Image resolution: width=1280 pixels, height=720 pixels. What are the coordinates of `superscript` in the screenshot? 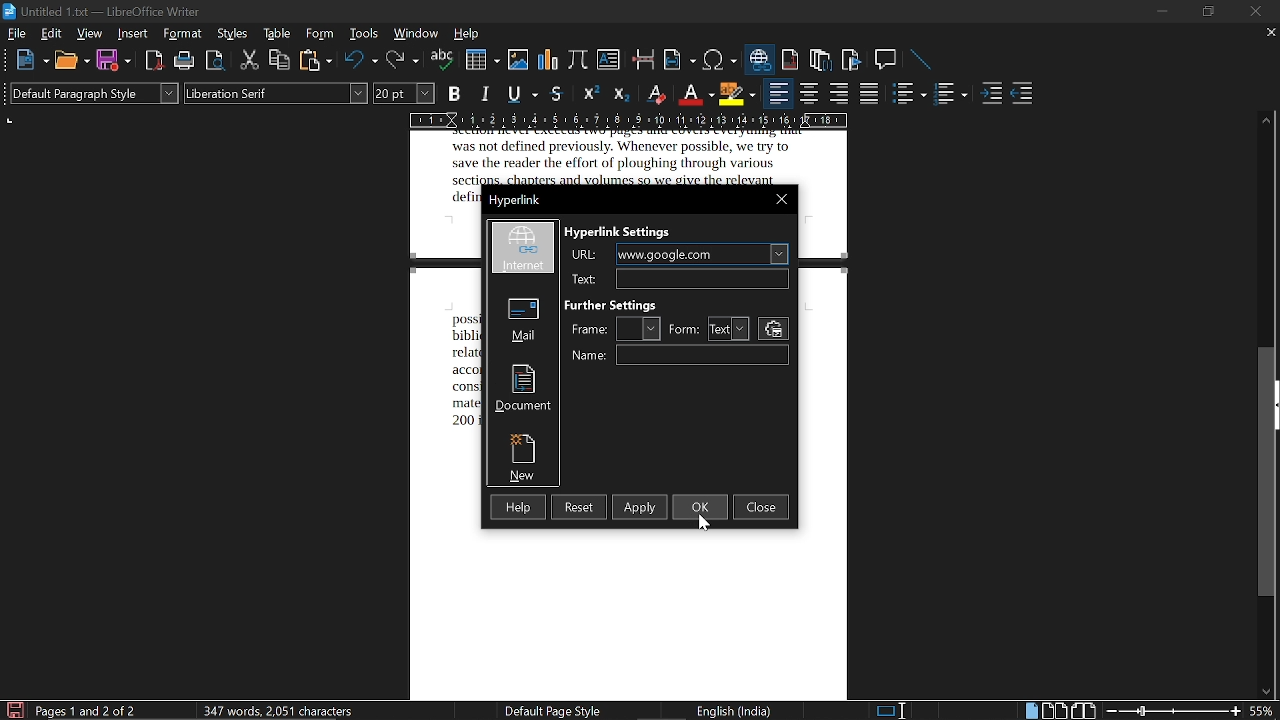 It's located at (590, 95).